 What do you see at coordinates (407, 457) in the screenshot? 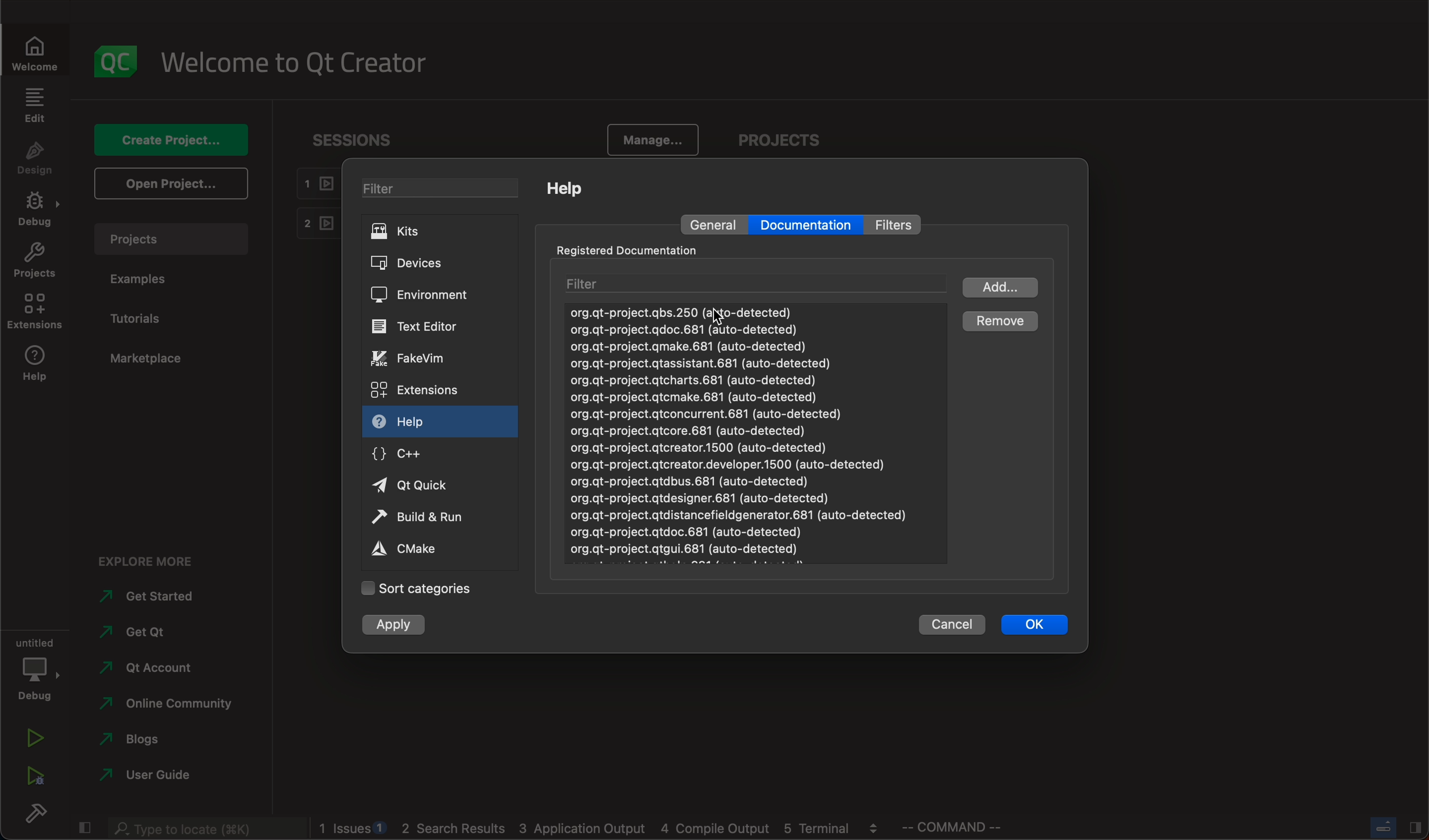
I see `c++` at bounding box center [407, 457].